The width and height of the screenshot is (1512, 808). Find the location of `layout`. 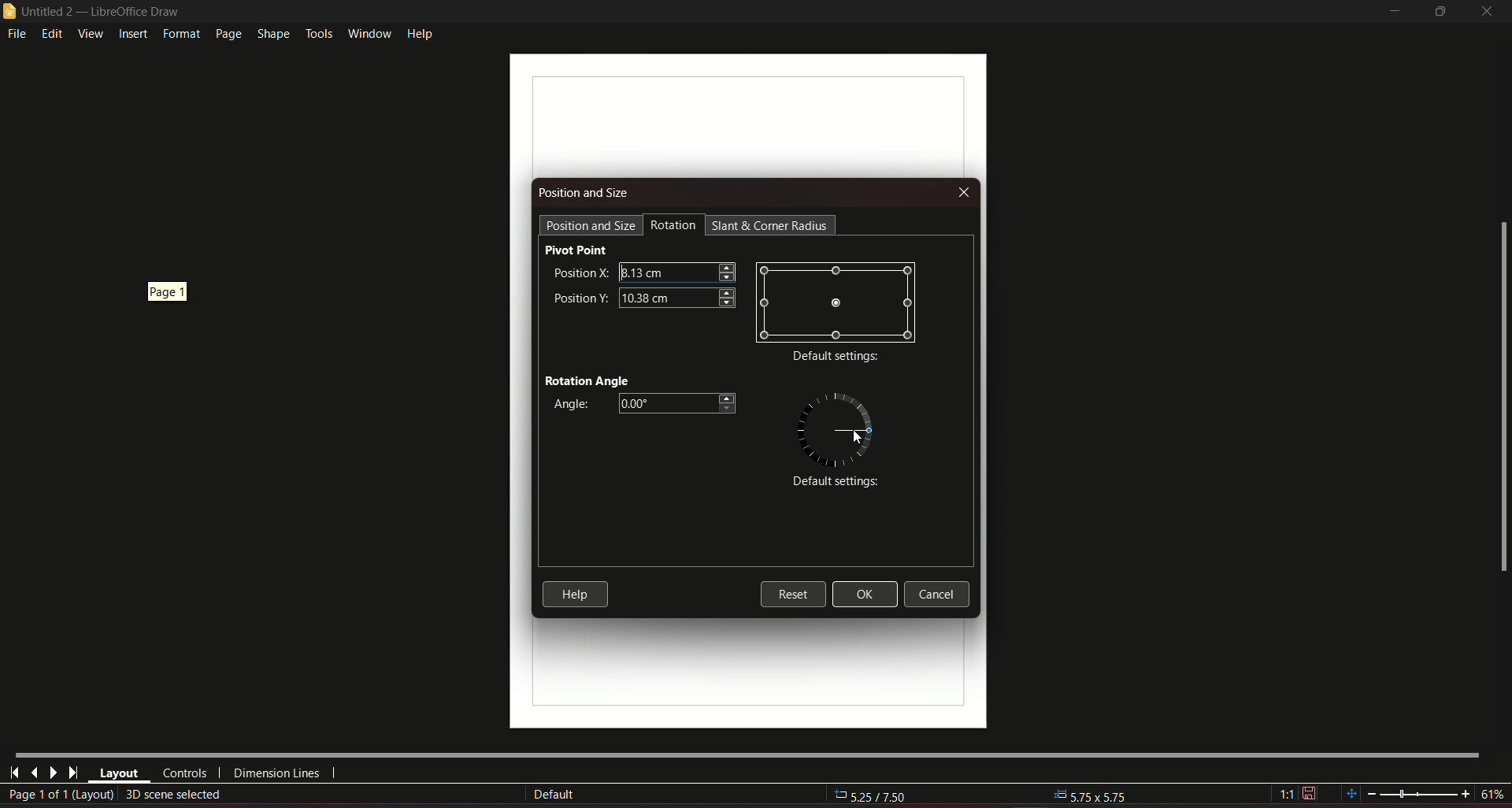

layout is located at coordinates (119, 774).